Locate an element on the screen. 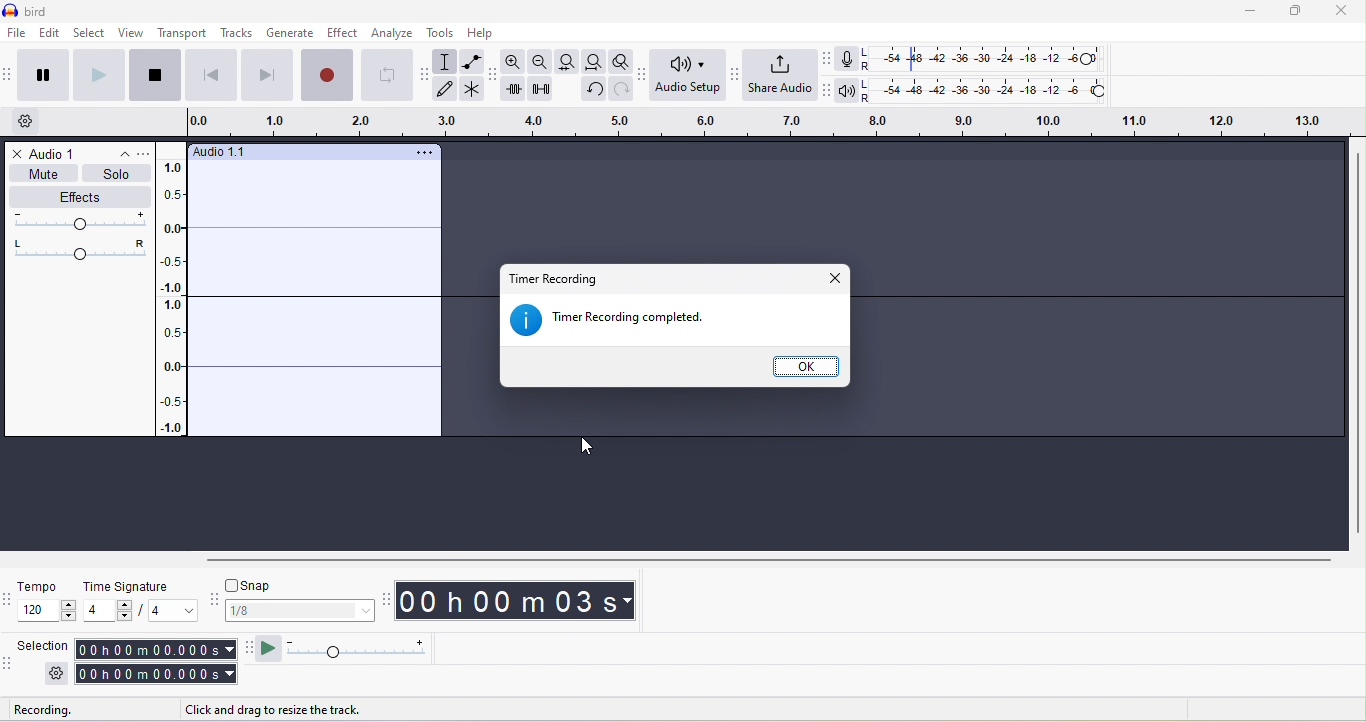 The height and width of the screenshot is (722, 1366). tempo is located at coordinates (47, 588).